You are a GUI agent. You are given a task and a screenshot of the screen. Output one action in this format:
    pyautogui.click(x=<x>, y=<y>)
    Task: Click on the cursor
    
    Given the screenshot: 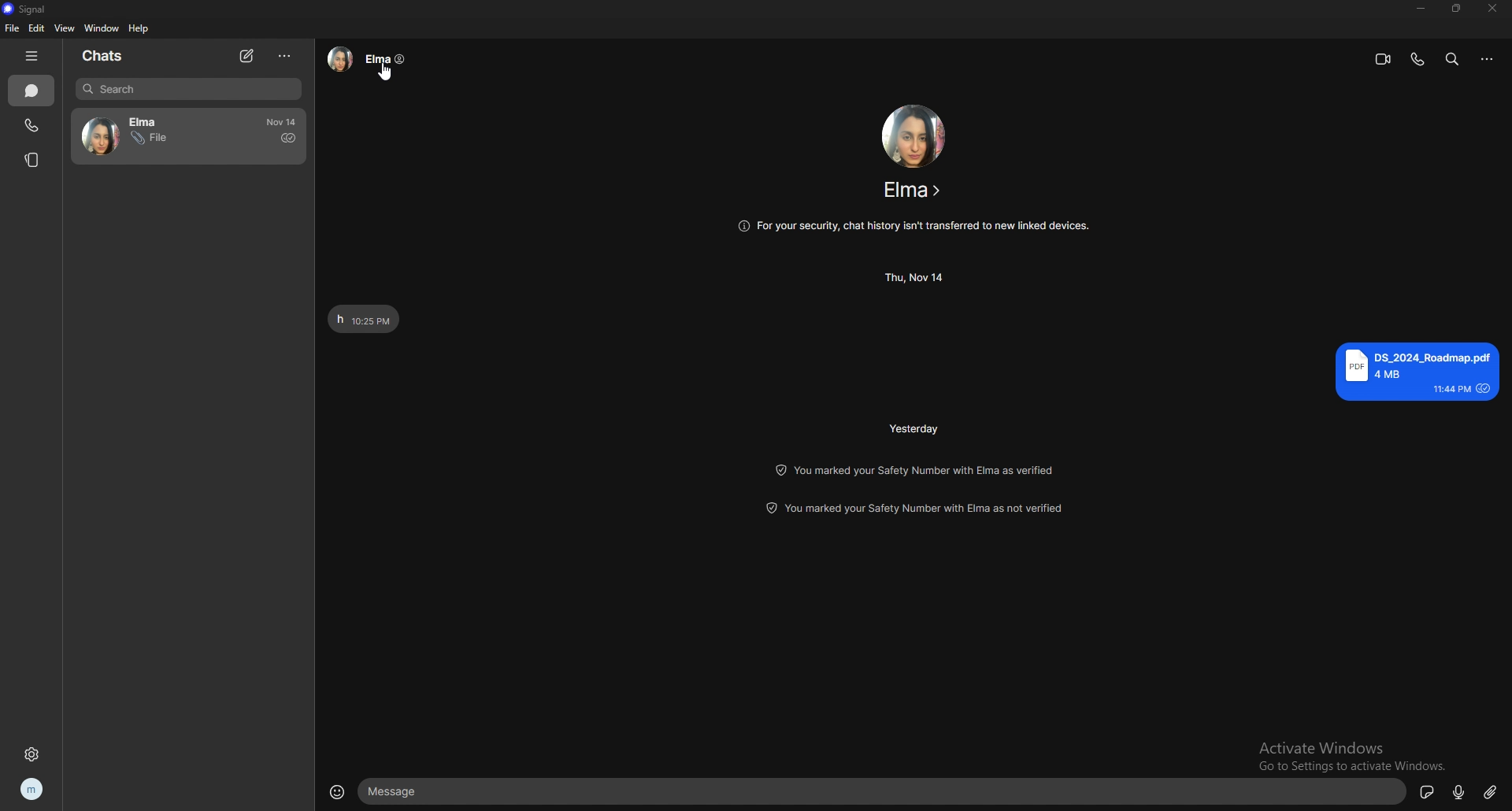 What is the action you would take?
    pyautogui.click(x=387, y=72)
    